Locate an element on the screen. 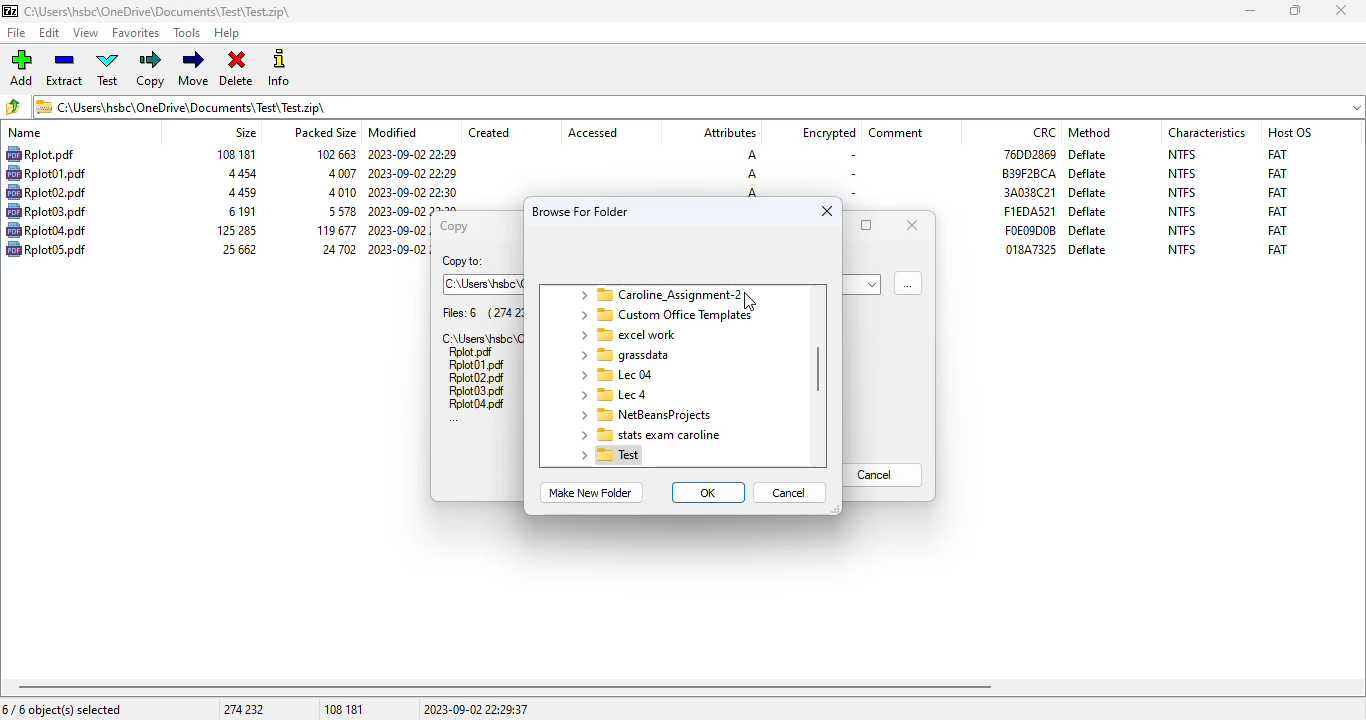 The width and height of the screenshot is (1366, 720). packed size is located at coordinates (332, 153).